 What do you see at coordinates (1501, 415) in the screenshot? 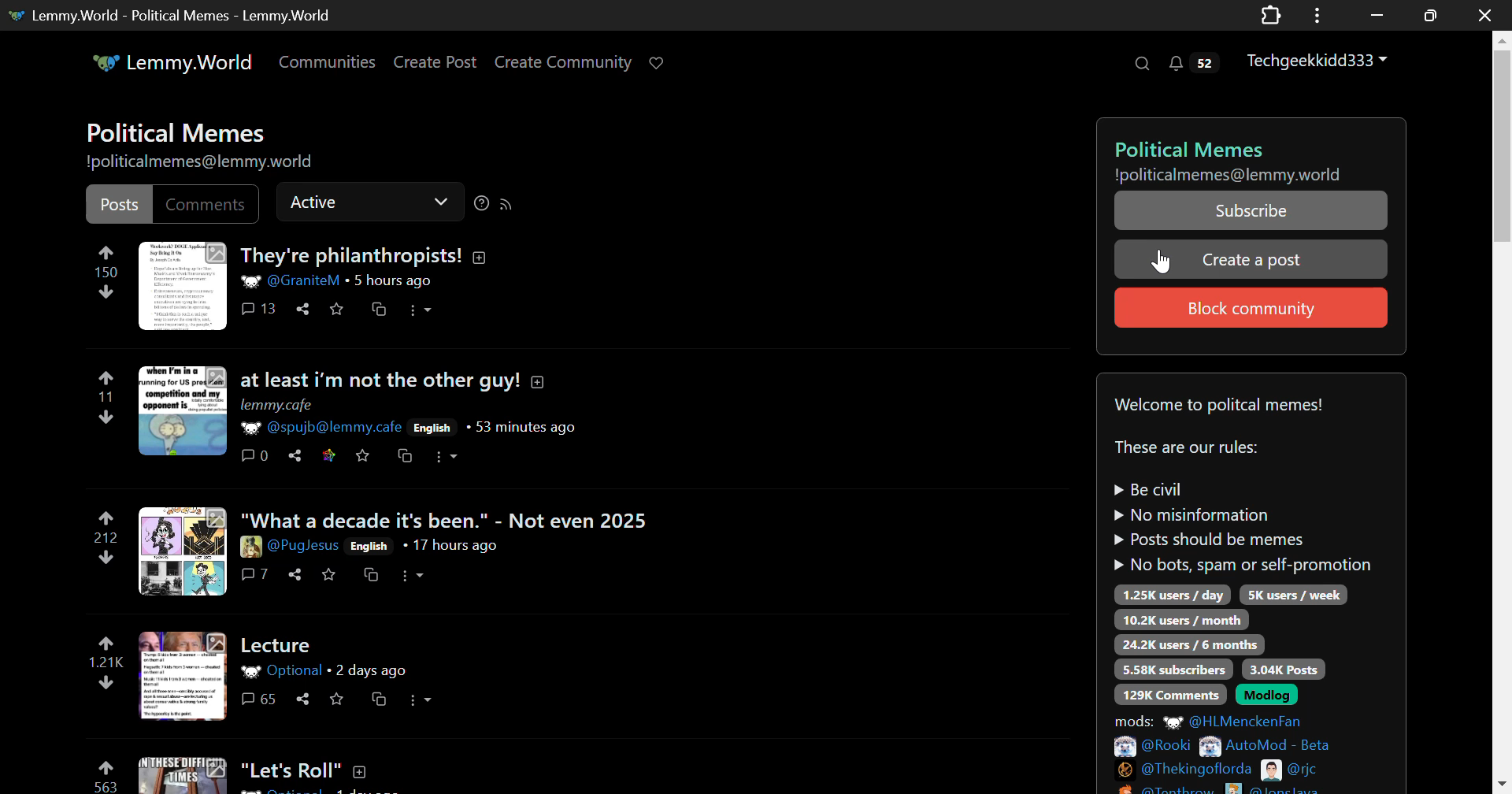
I see `Vertical Scroll Bar` at bounding box center [1501, 415].